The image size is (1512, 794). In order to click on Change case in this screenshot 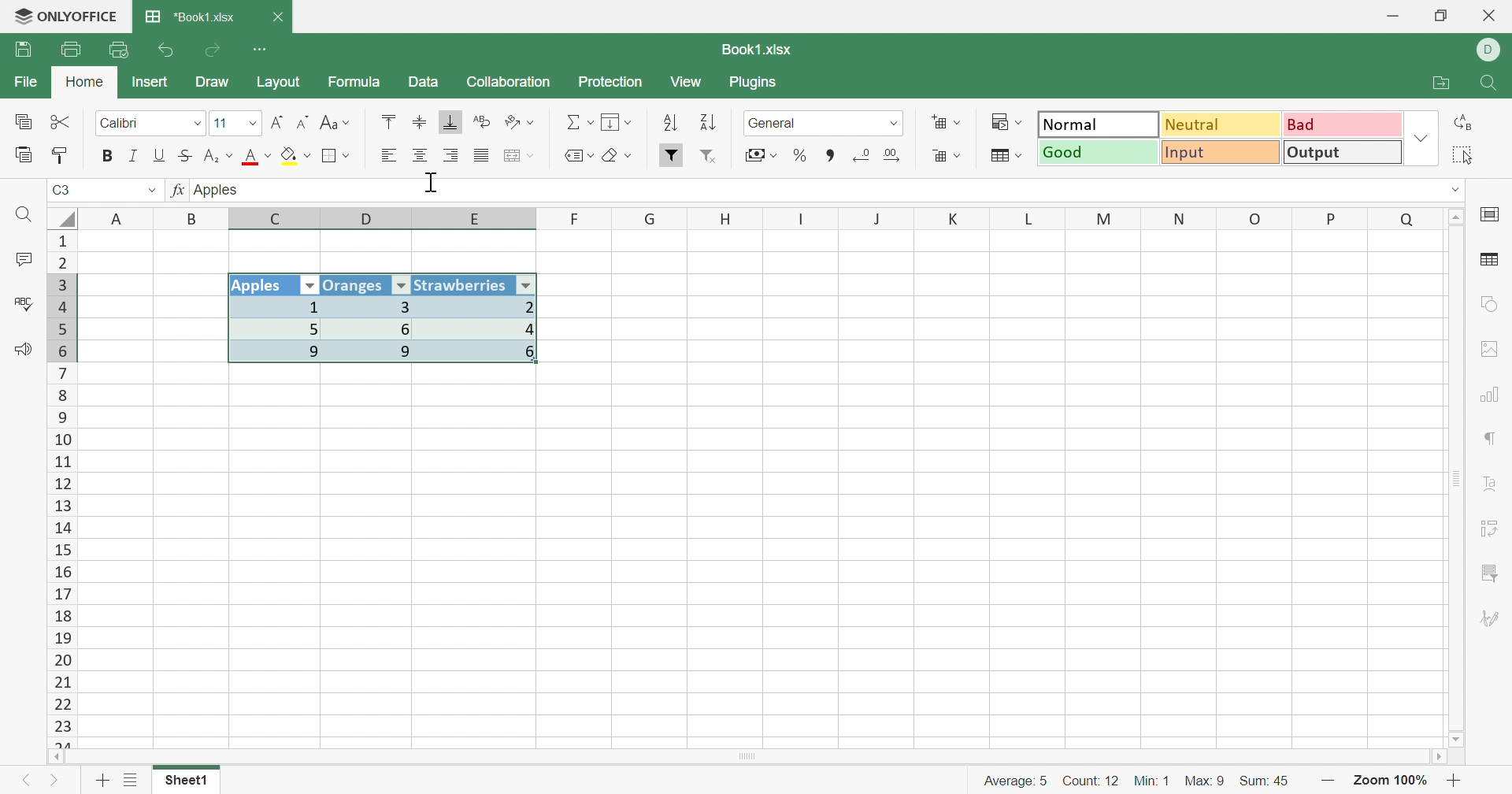, I will do `click(335, 124)`.